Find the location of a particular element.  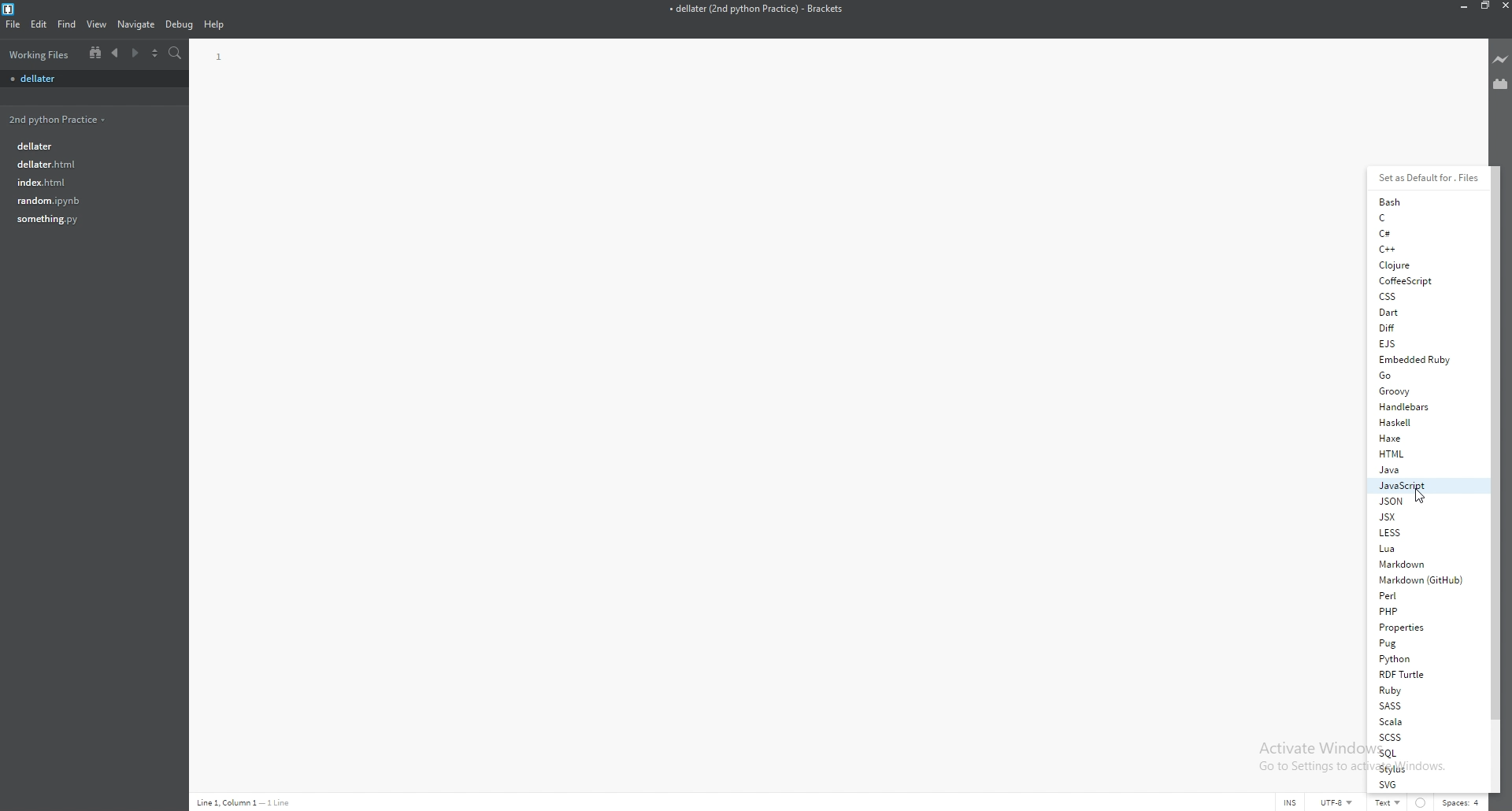

c++ is located at coordinates (1421, 248).